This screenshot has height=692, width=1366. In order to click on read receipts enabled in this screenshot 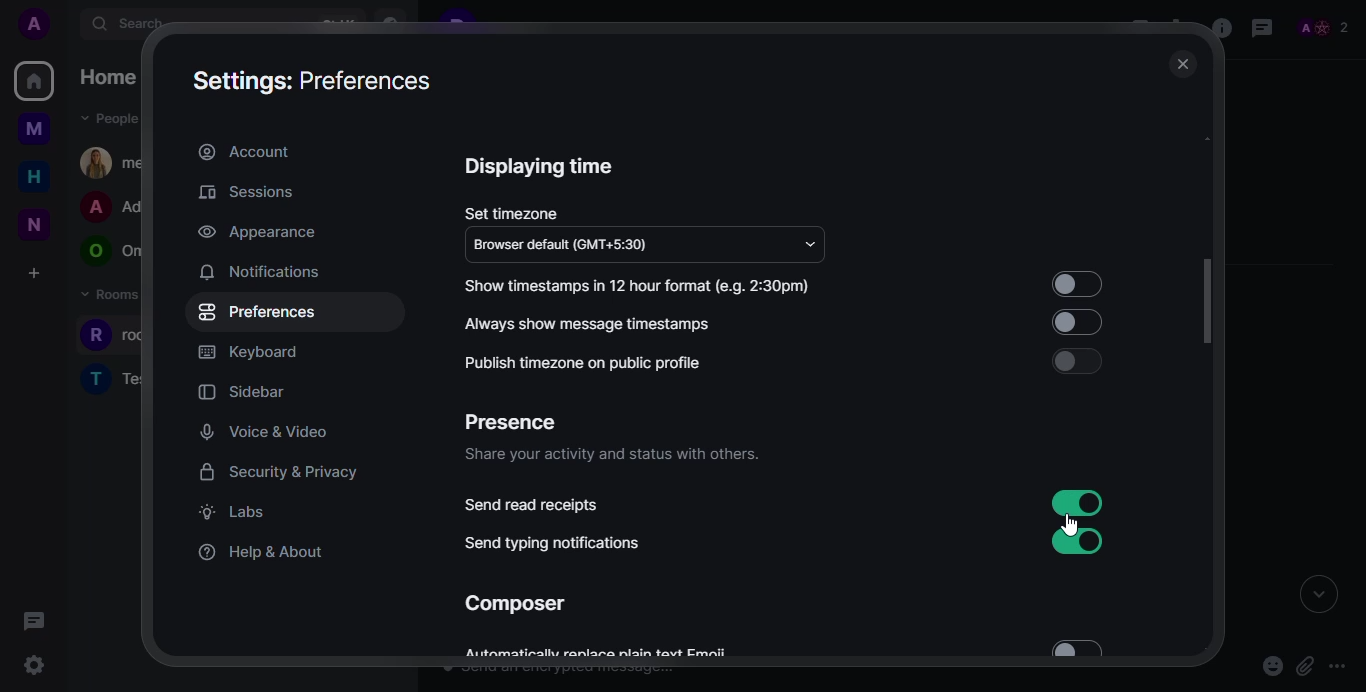, I will do `click(1076, 502)`.